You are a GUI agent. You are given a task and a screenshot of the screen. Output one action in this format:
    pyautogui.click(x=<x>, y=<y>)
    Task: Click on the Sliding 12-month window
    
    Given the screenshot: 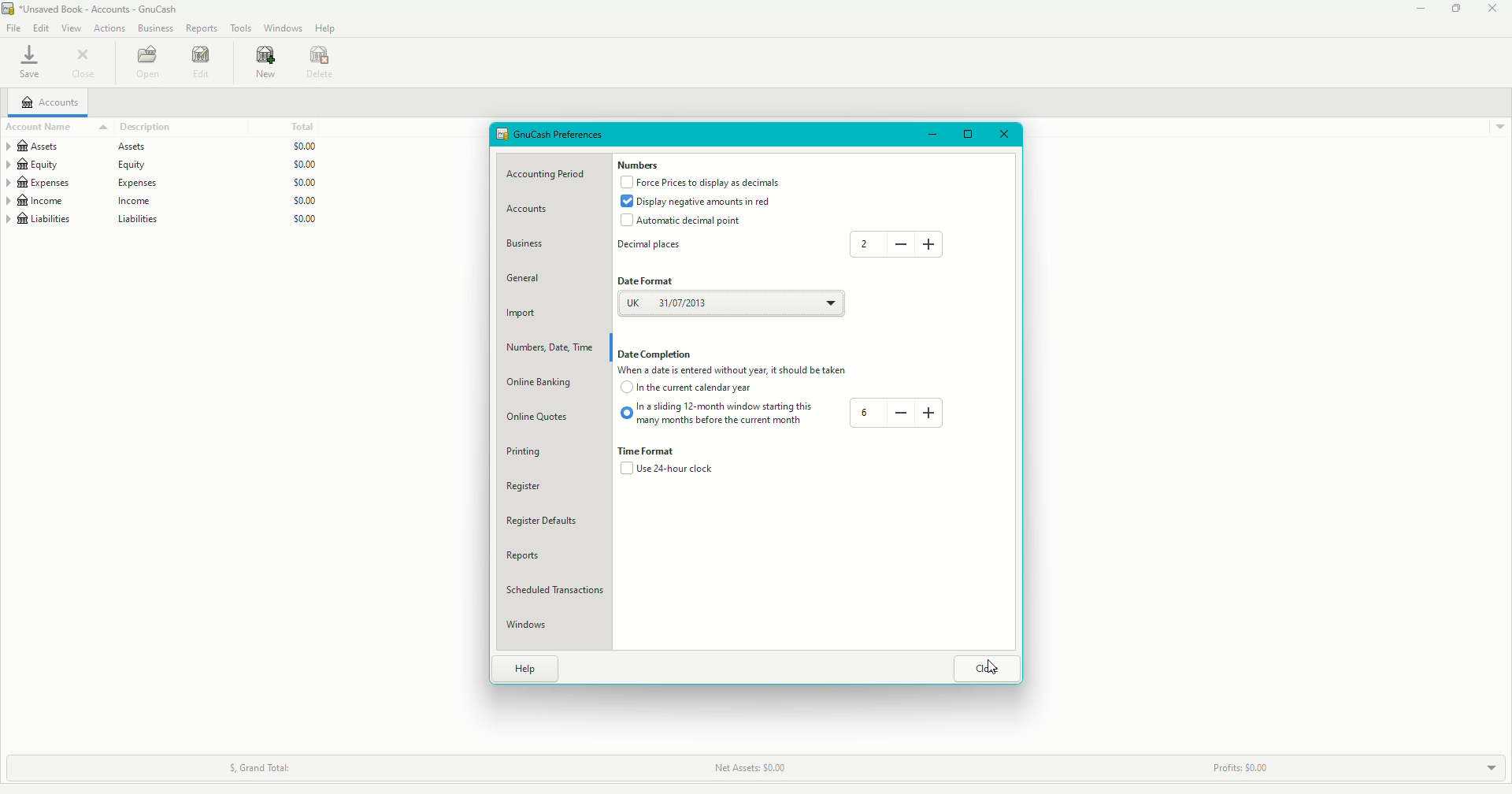 What is the action you would take?
    pyautogui.click(x=720, y=414)
    